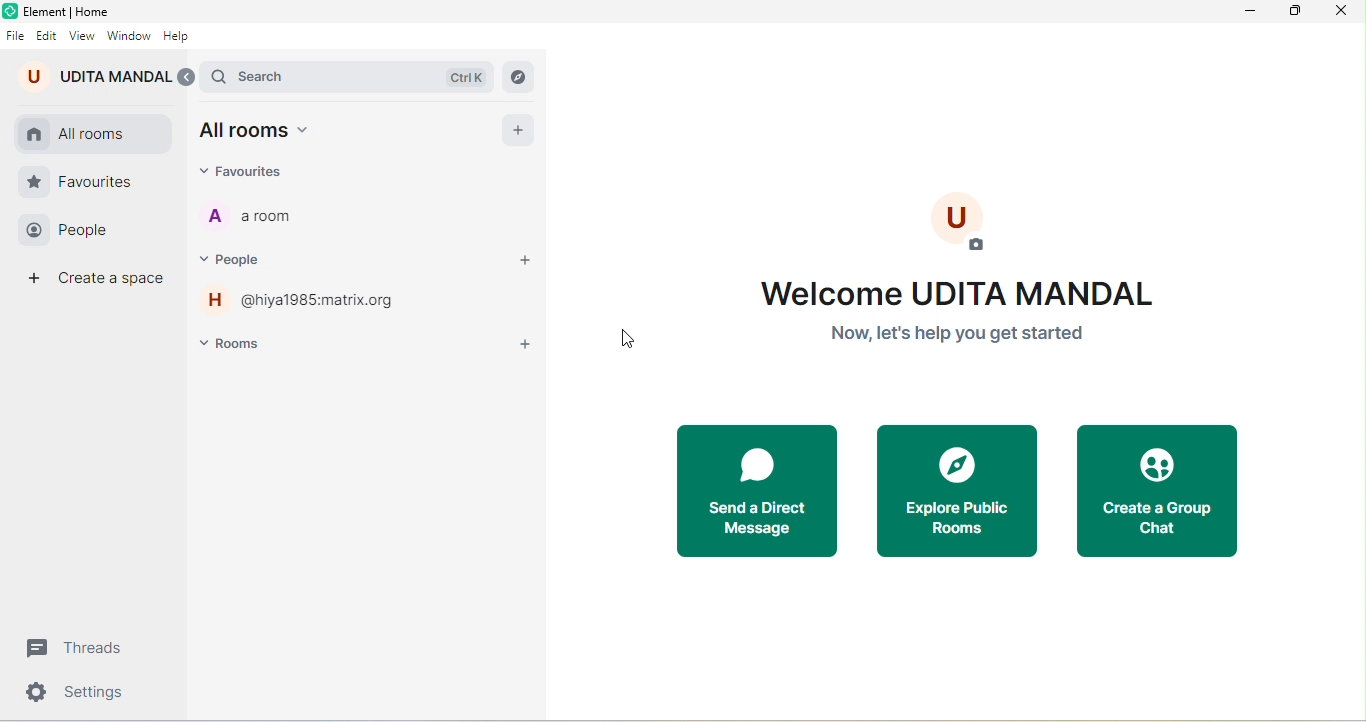 Image resolution: width=1366 pixels, height=722 pixels. I want to click on (home) all rooms, so click(92, 134).